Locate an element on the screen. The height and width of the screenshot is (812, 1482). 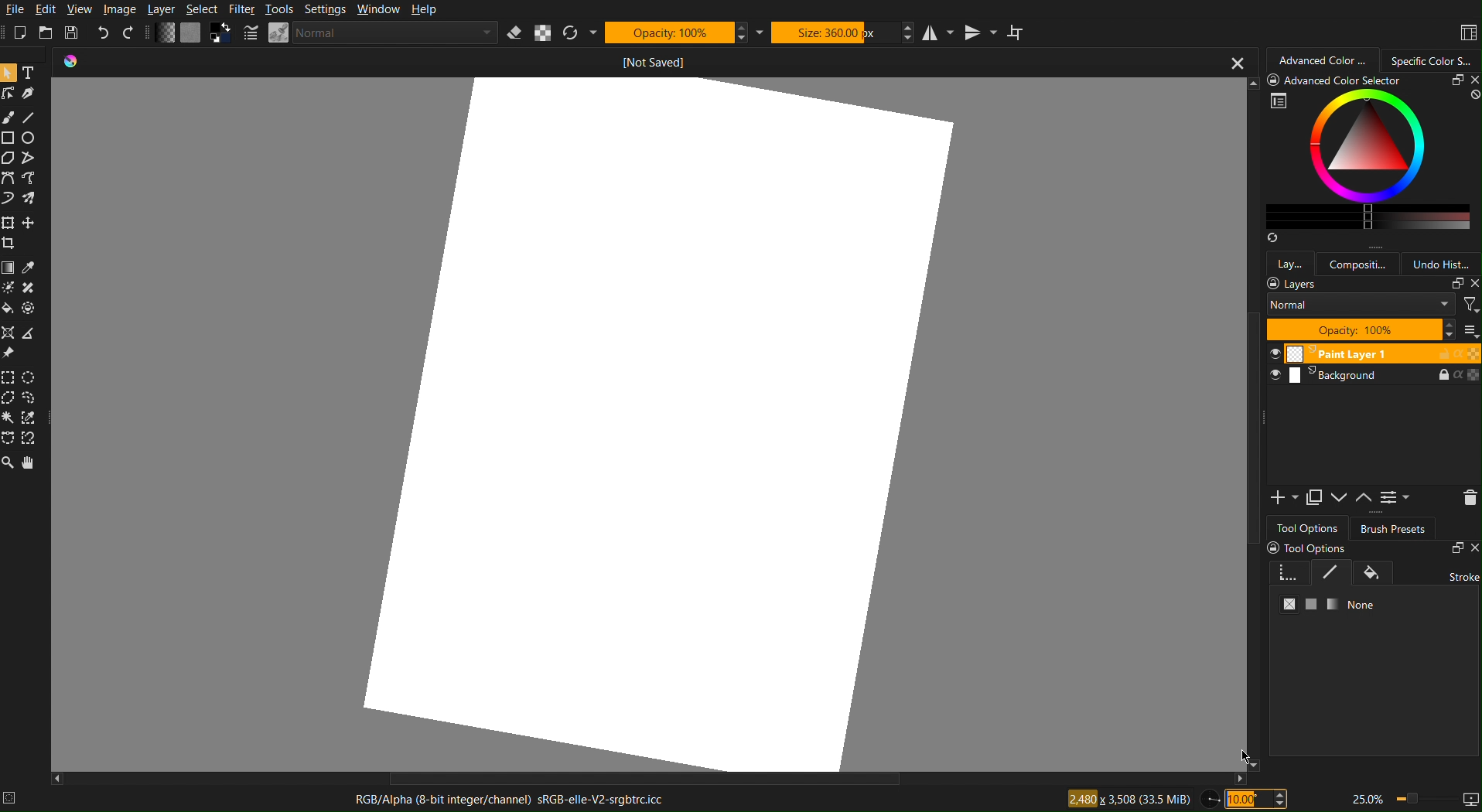
Add Layer is located at coordinates (1284, 498).